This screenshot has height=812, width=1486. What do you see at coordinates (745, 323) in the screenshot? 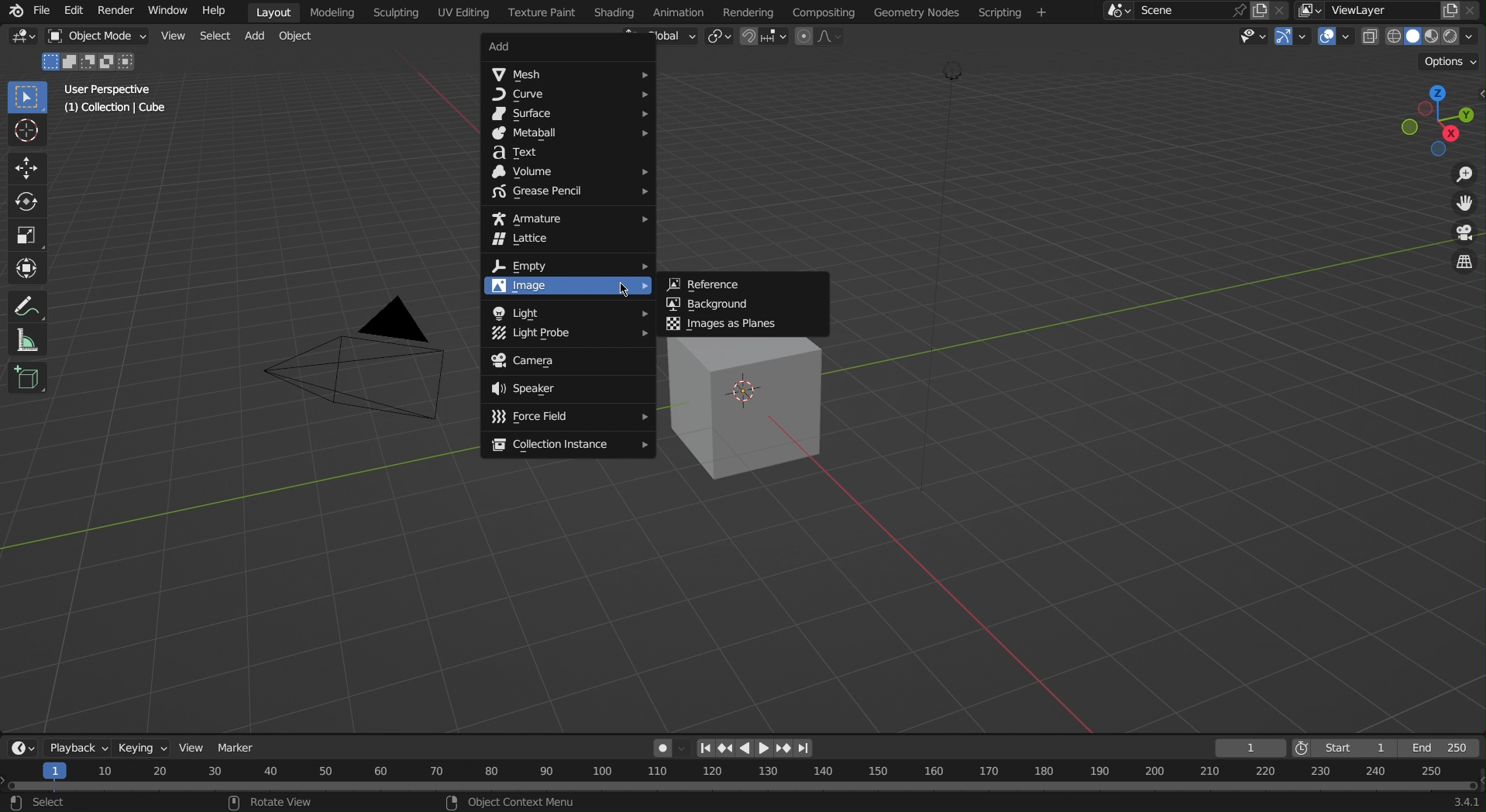
I see `Images as Planes` at bounding box center [745, 323].